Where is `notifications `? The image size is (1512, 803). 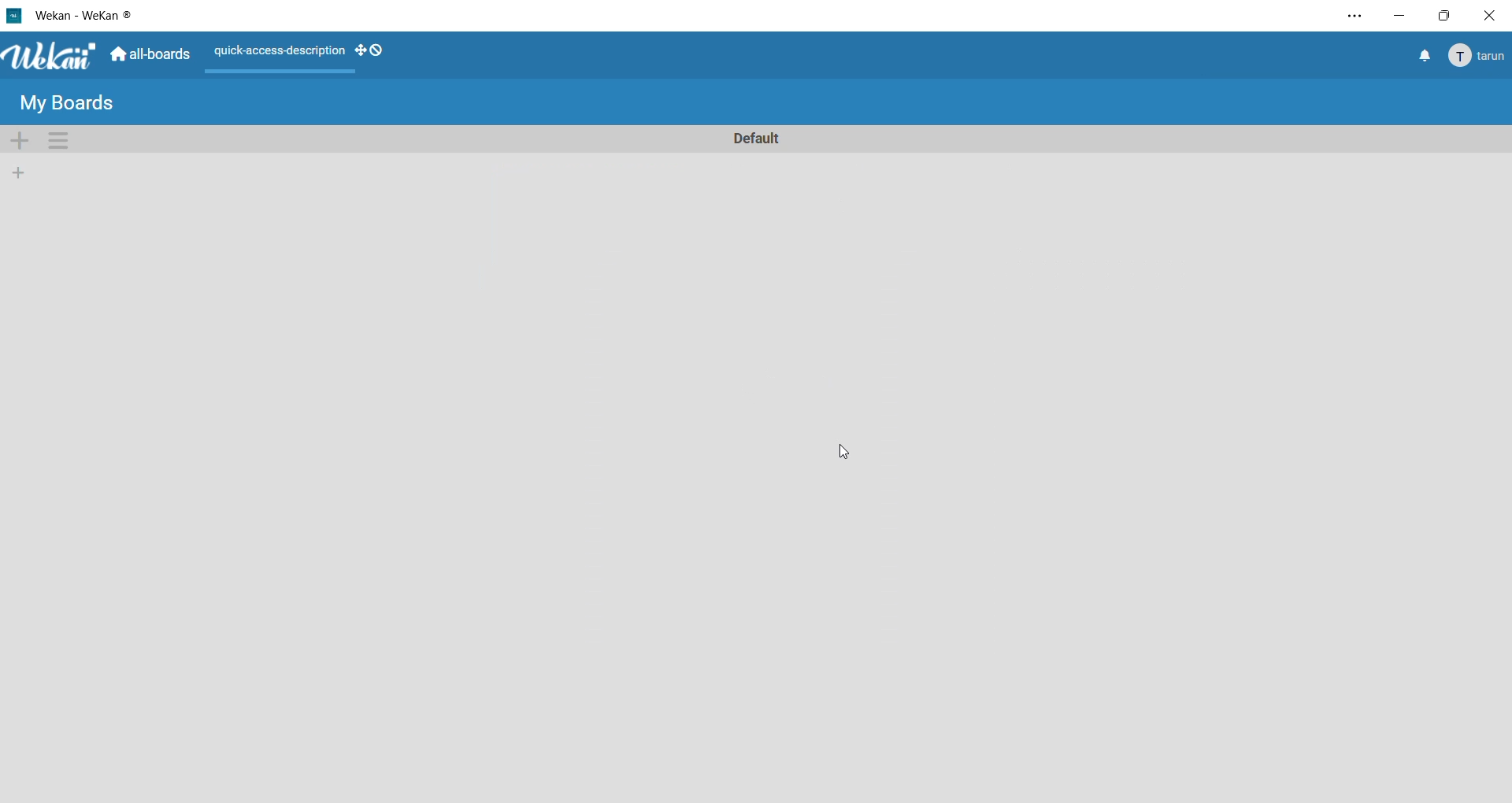 notifications  is located at coordinates (1423, 57).